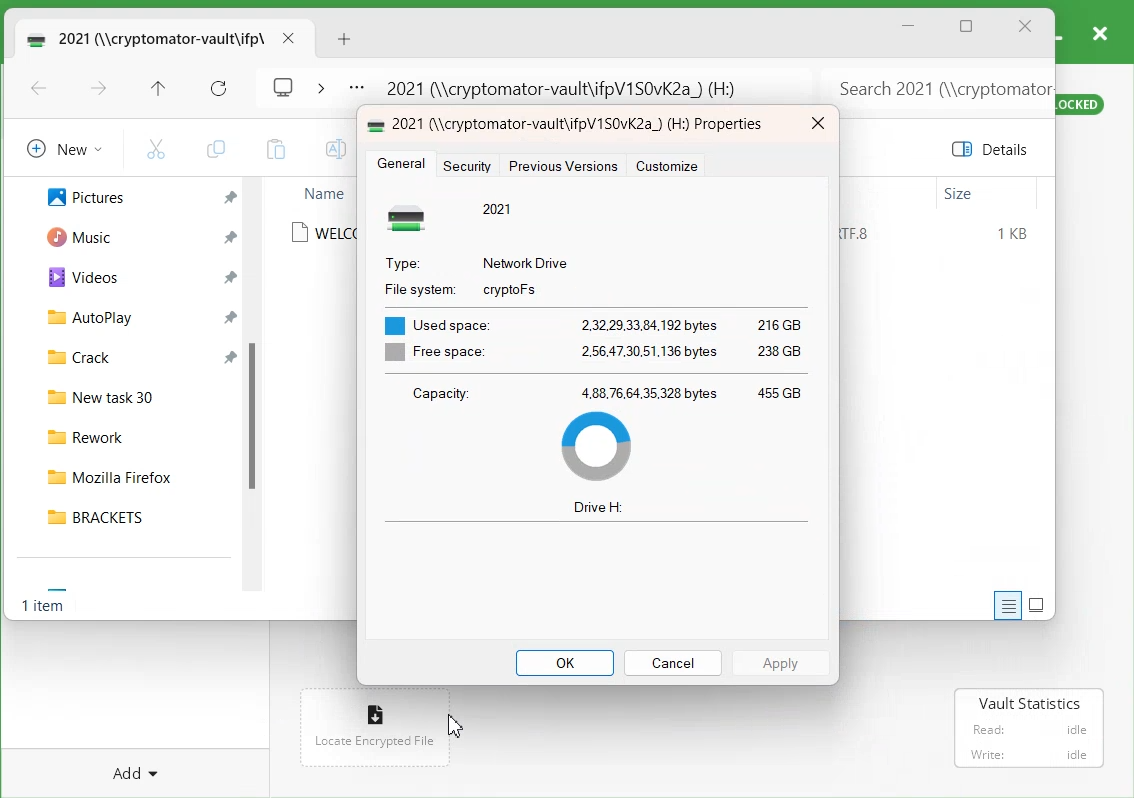  I want to click on Text 1, so click(583, 125).